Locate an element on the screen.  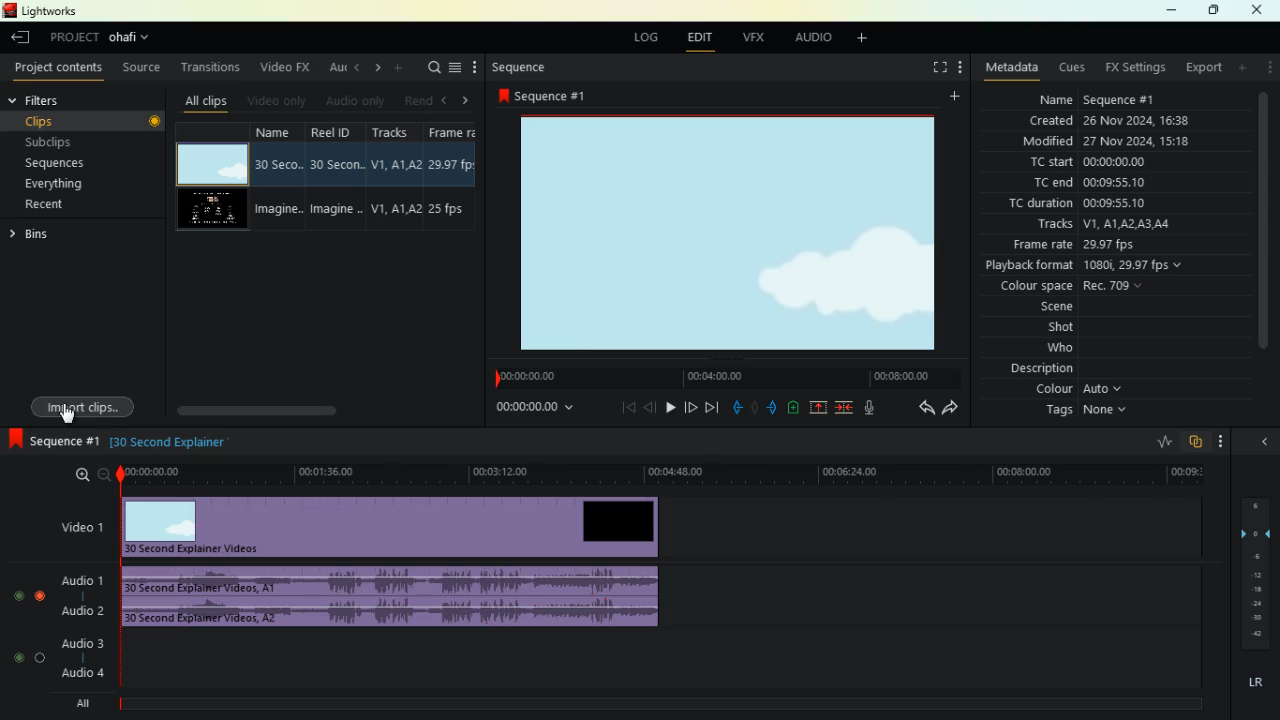
Mouse Cursor is located at coordinates (71, 416).